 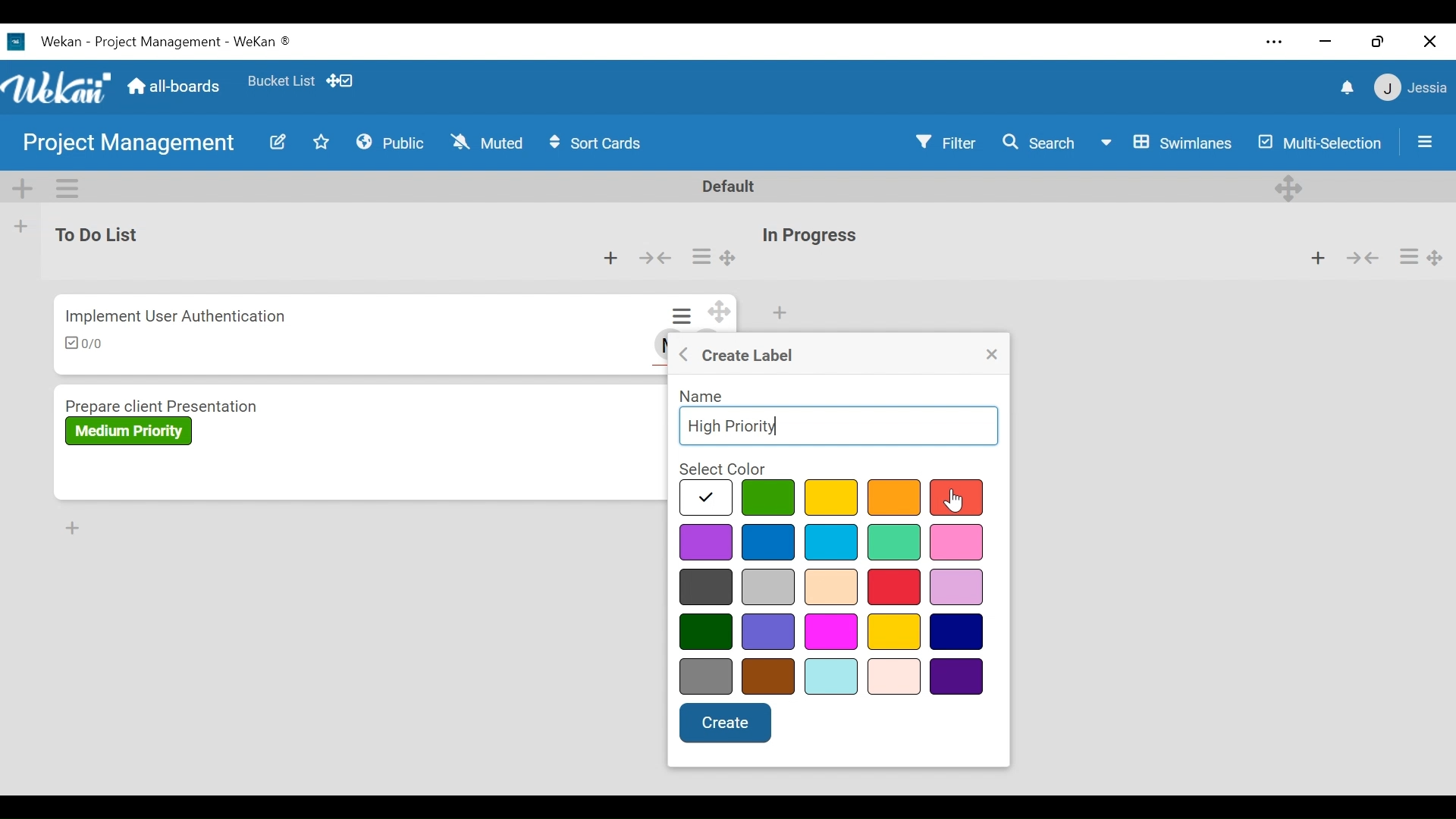 I want to click on Search, so click(x=1039, y=142).